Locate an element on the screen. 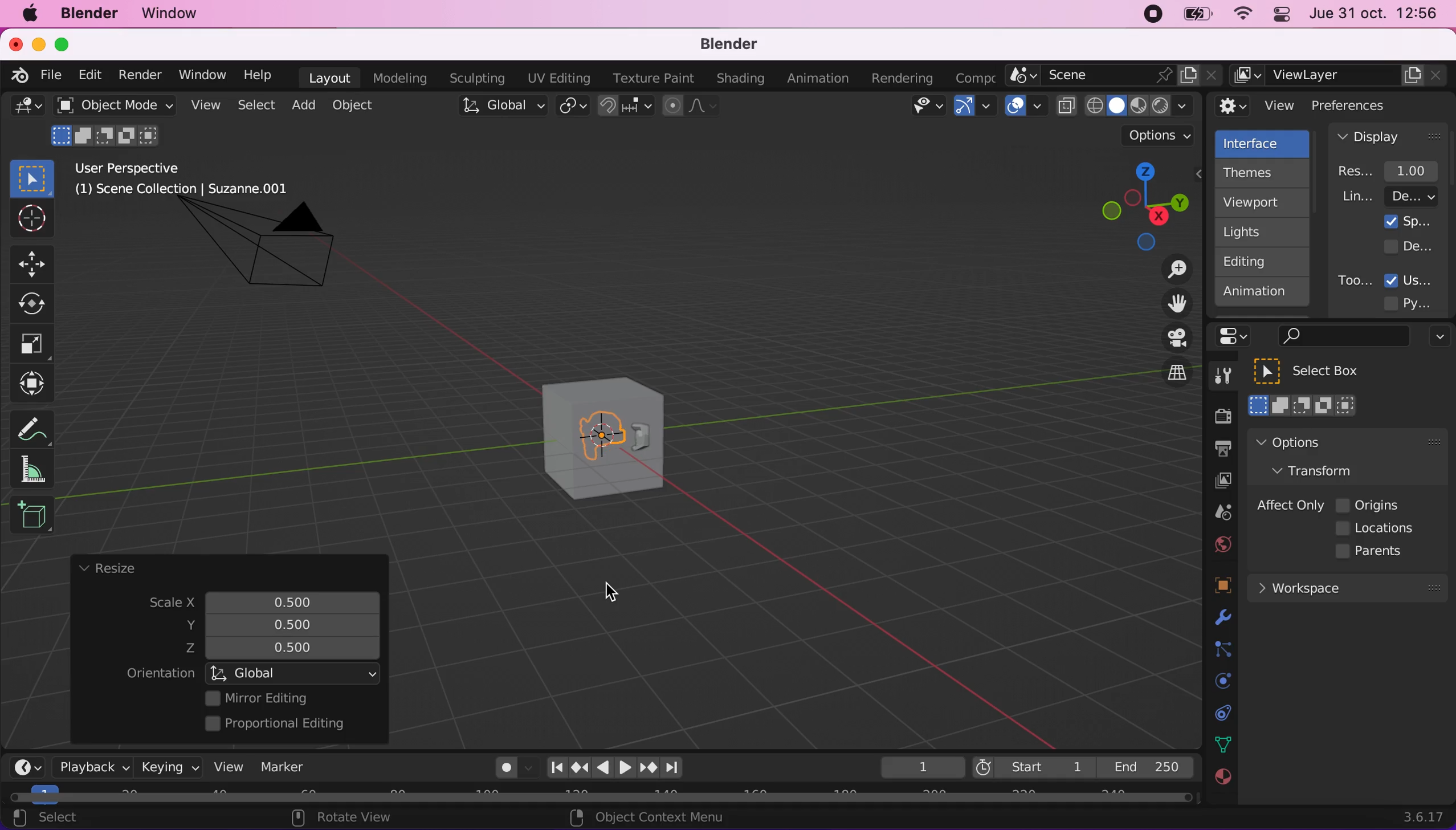 This screenshot has width=1456, height=830. view object types is located at coordinates (925, 108).